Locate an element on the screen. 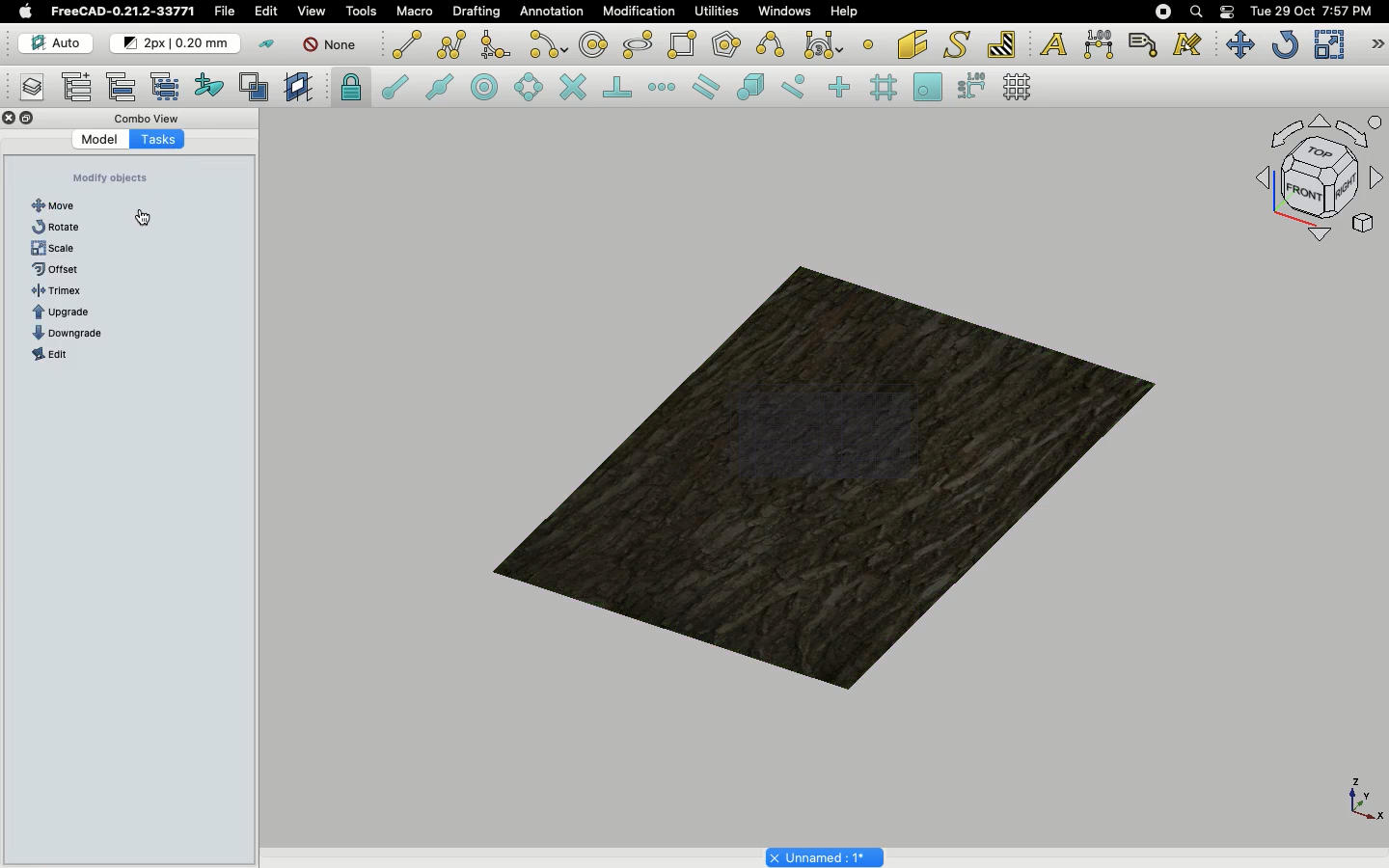 Image resolution: width=1389 pixels, height=868 pixels. Snap center is located at coordinates (490, 86).